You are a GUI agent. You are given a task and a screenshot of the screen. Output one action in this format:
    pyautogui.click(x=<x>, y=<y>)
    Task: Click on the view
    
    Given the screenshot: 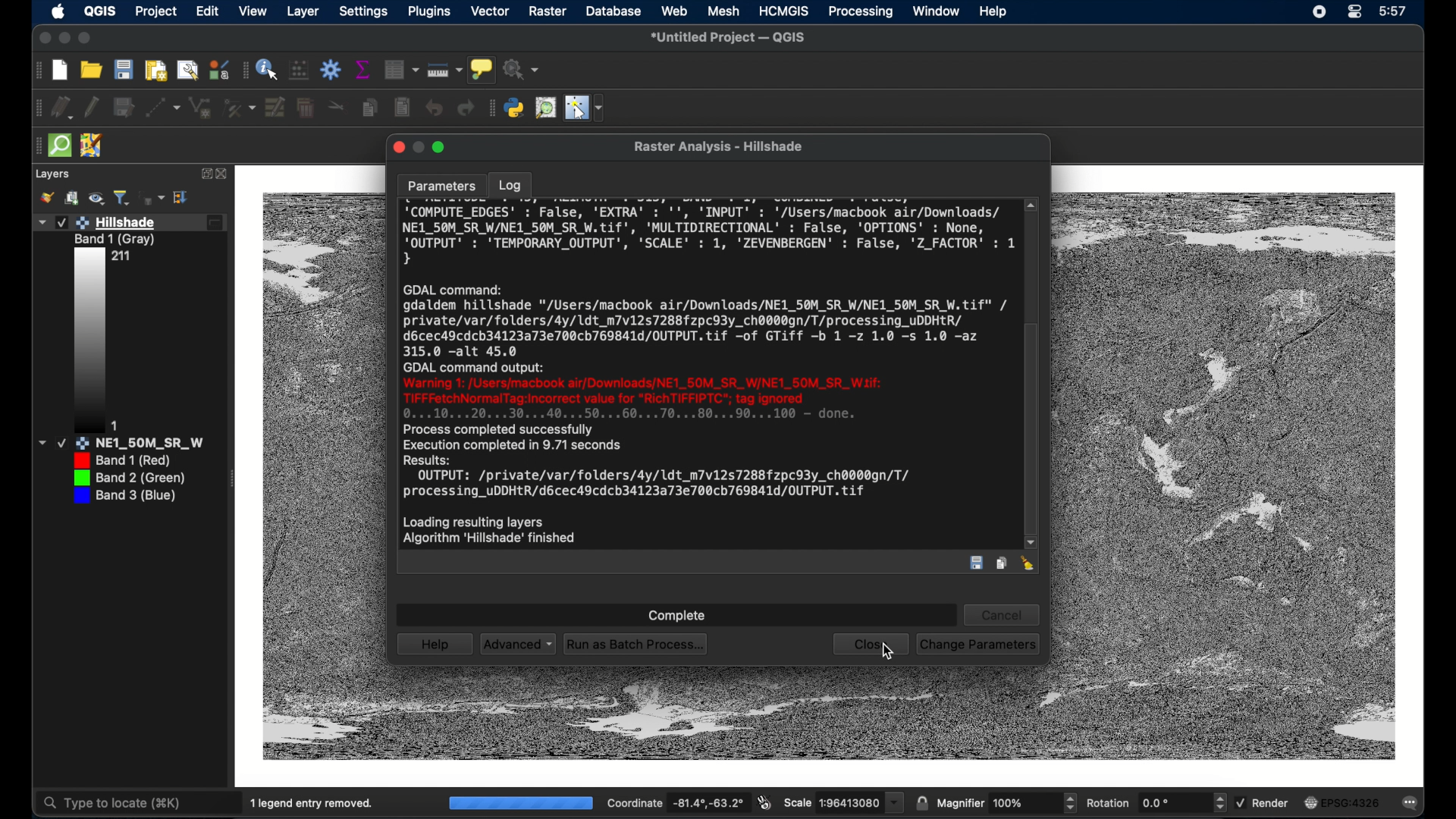 What is the action you would take?
    pyautogui.click(x=255, y=11)
    